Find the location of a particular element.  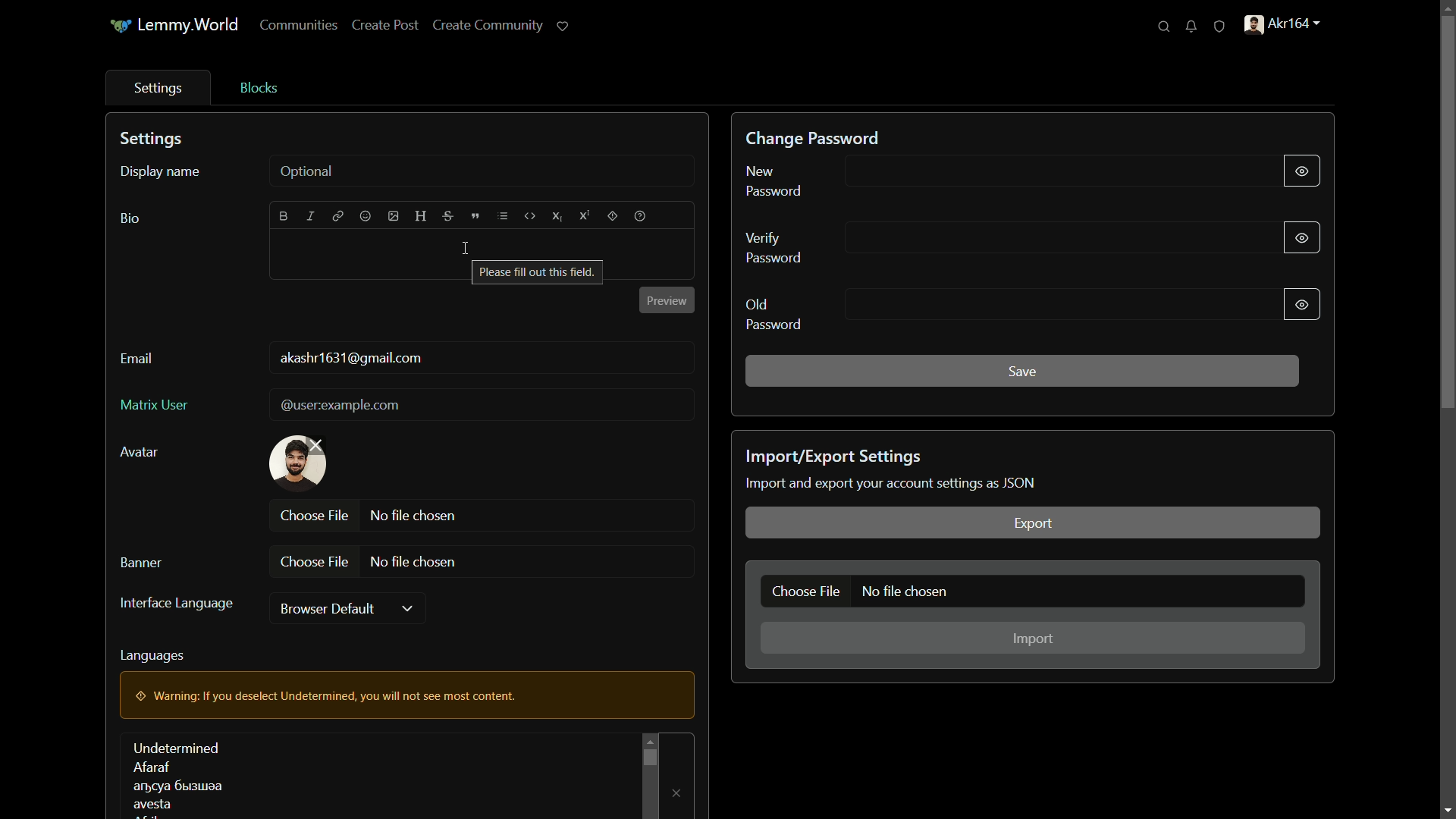

matrix user is located at coordinates (155, 406).